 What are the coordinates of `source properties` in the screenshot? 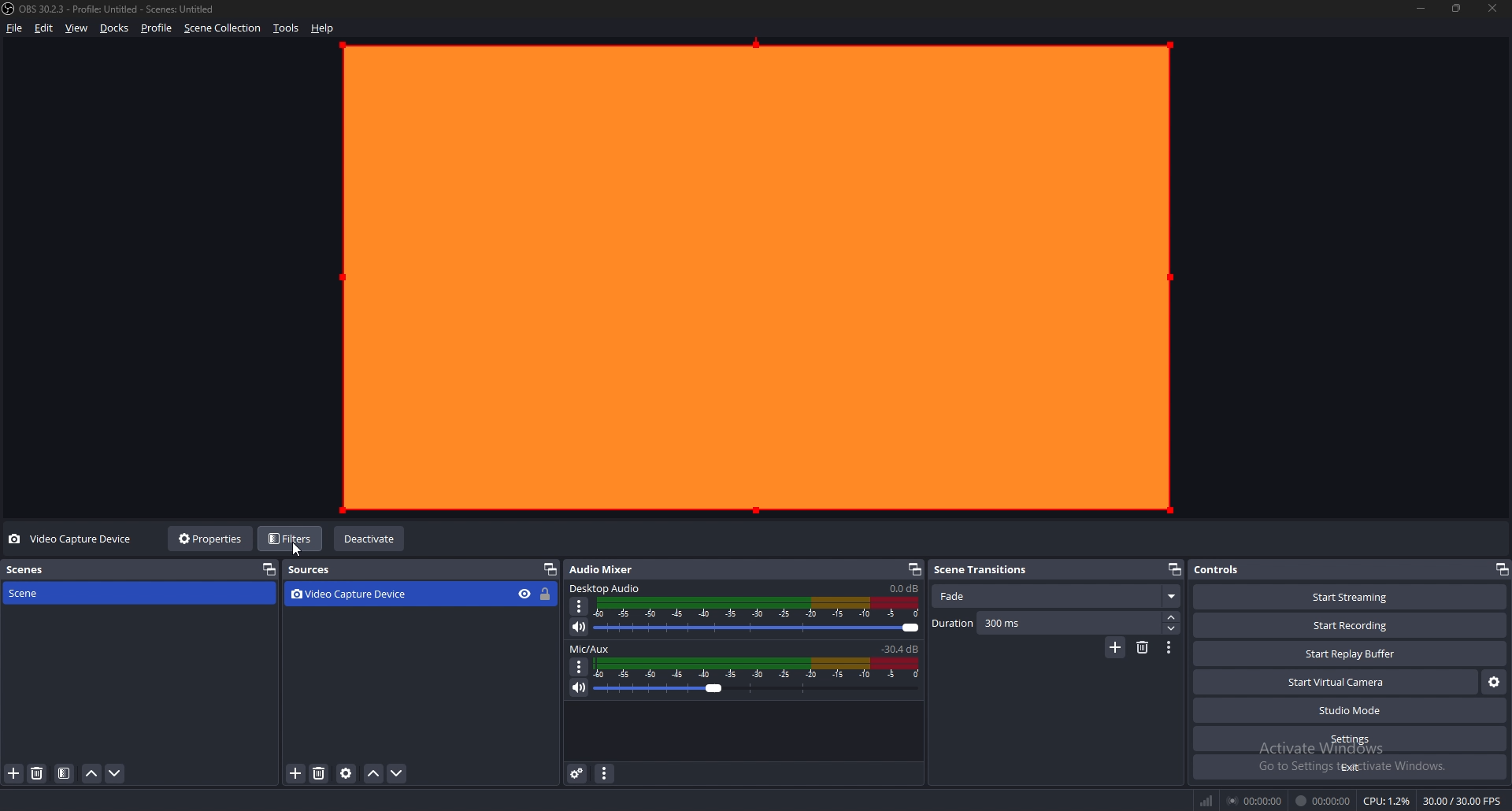 It's located at (346, 774).